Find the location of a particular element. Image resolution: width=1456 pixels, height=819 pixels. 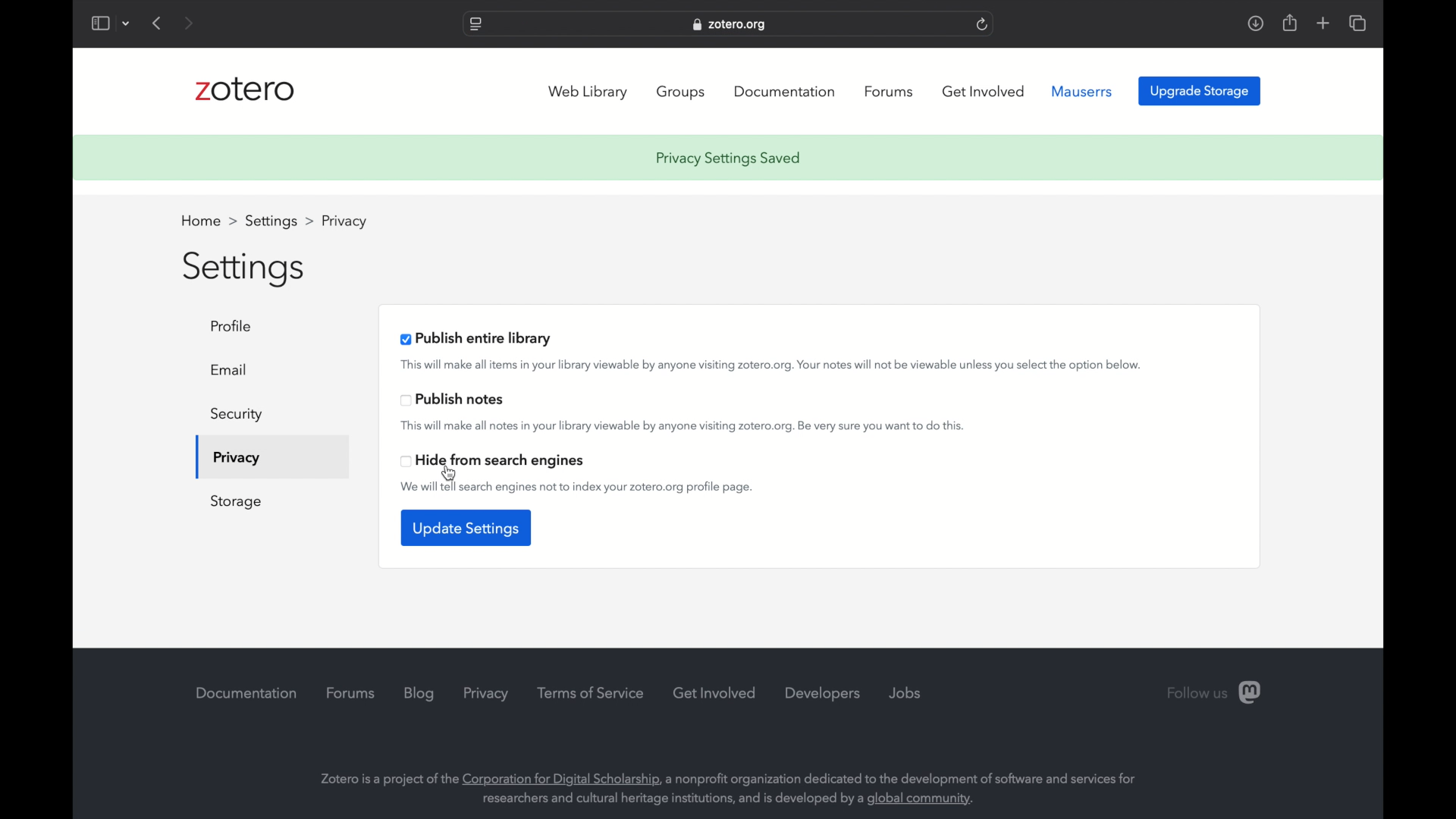

mauserrs is located at coordinates (1082, 92).